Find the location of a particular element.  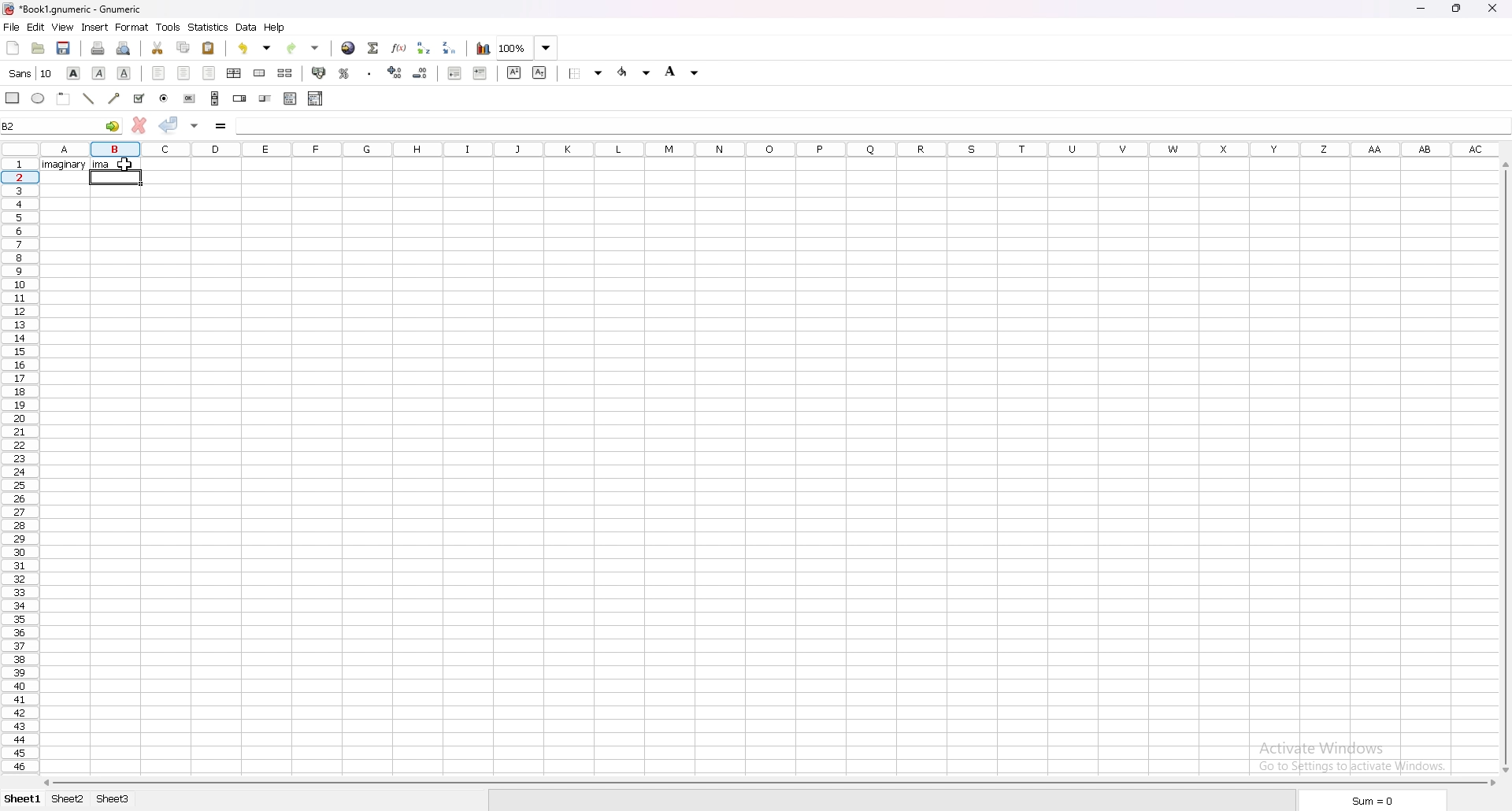

selected cell is located at coordinates (116, 179).